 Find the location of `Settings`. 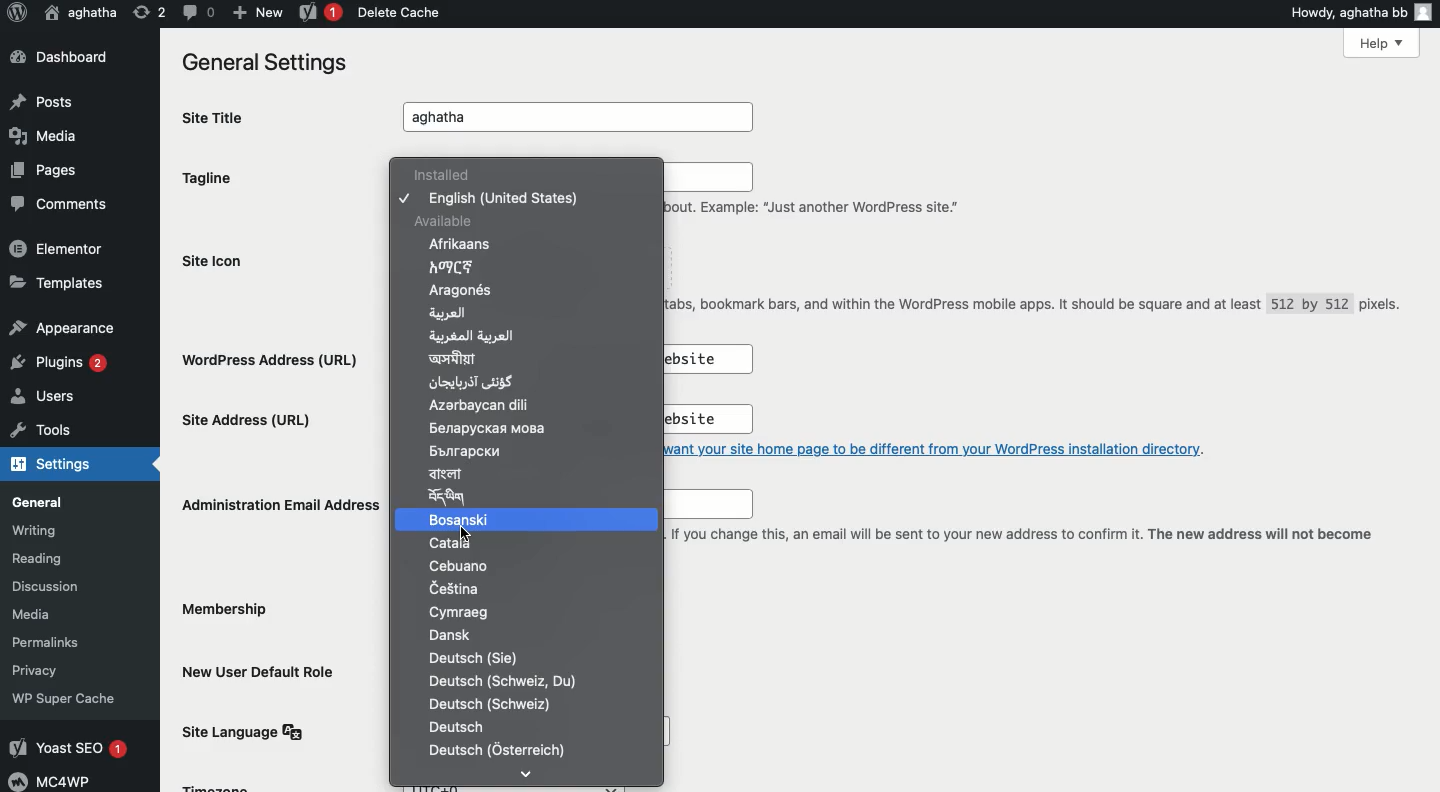

Settings is located at coordinates (49, 466).